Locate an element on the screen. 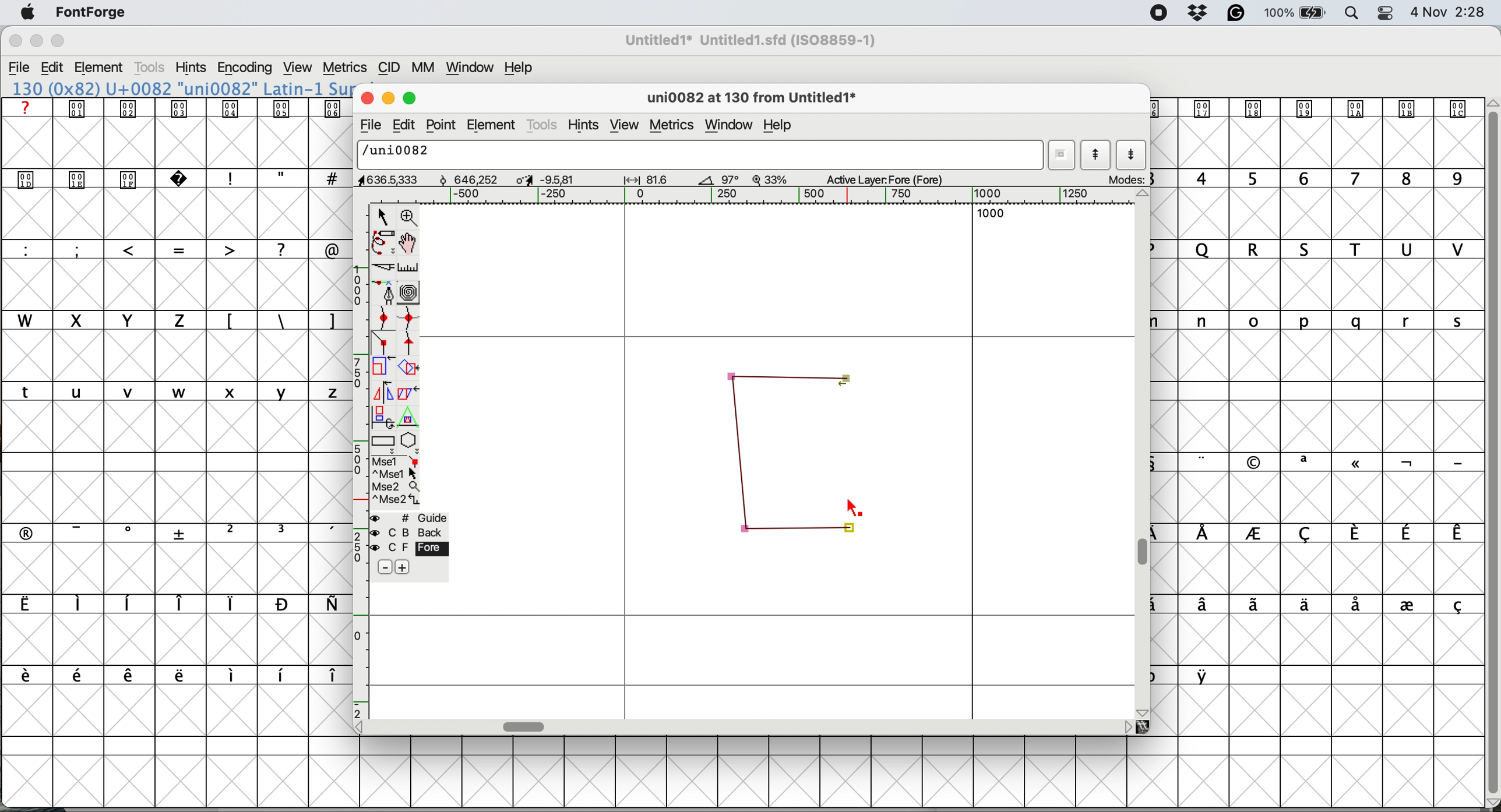 This screenshot has width=1501, height=812. active layer is located at coordinates (896, 178).